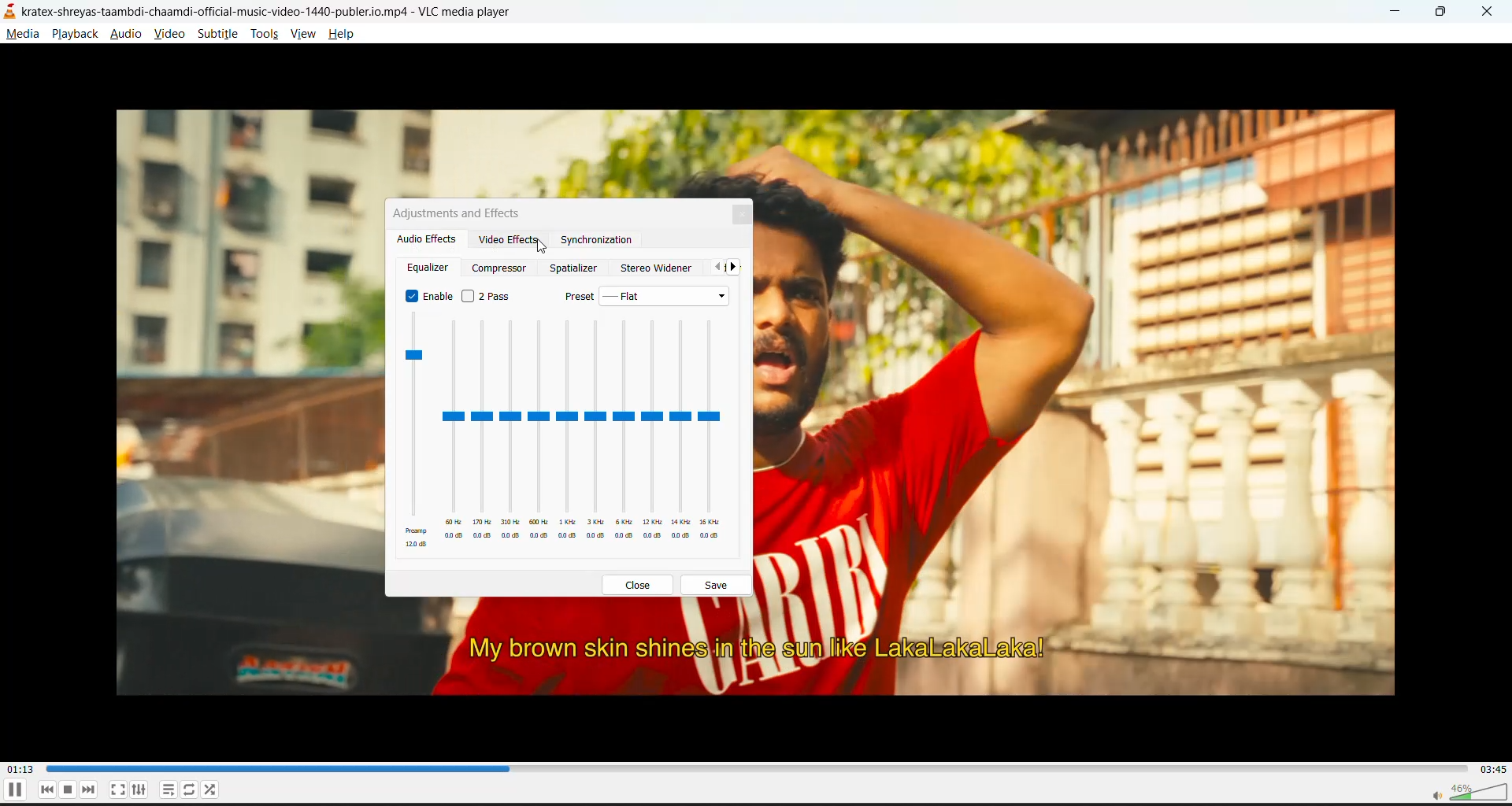  What do you see at coordinates (458, 431) in the screenshot?
I see `` at bounding box center [458, 431].